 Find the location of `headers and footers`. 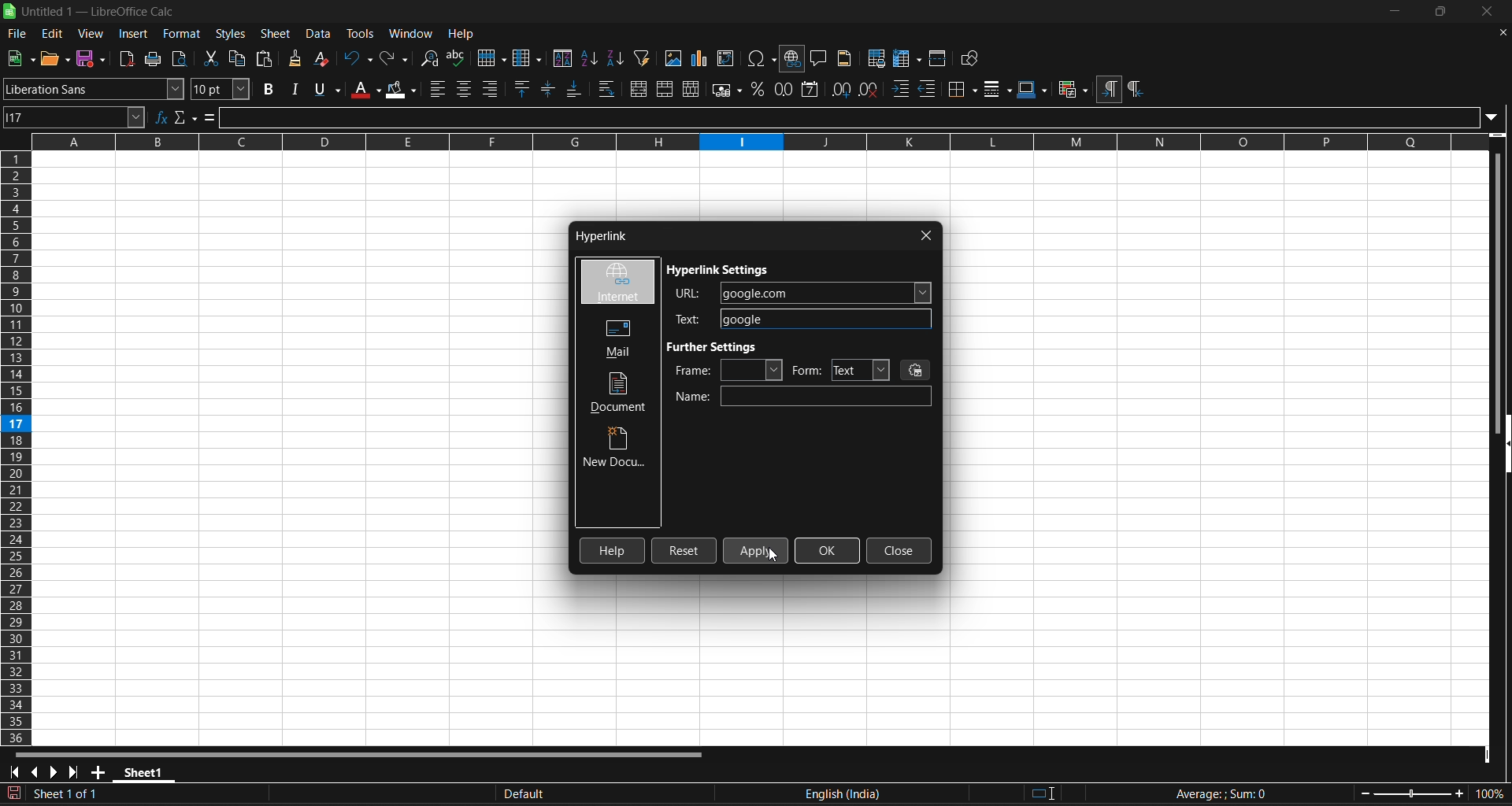

headers and footers is located at coordinates (847, 58).